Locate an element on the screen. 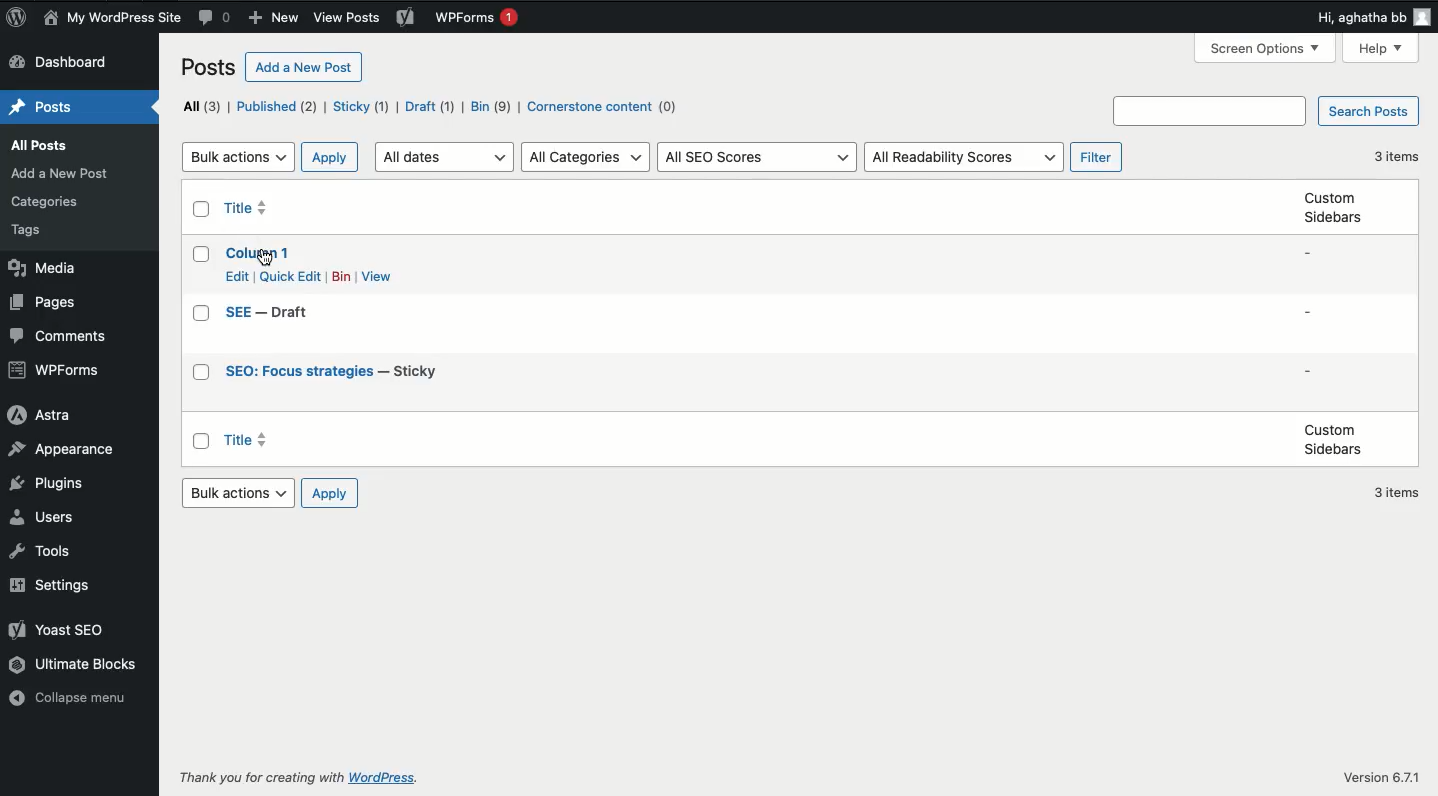 Image resolution: width=1438 pixels, height=796 pixels. Comments is located at coordinates (54, 337).